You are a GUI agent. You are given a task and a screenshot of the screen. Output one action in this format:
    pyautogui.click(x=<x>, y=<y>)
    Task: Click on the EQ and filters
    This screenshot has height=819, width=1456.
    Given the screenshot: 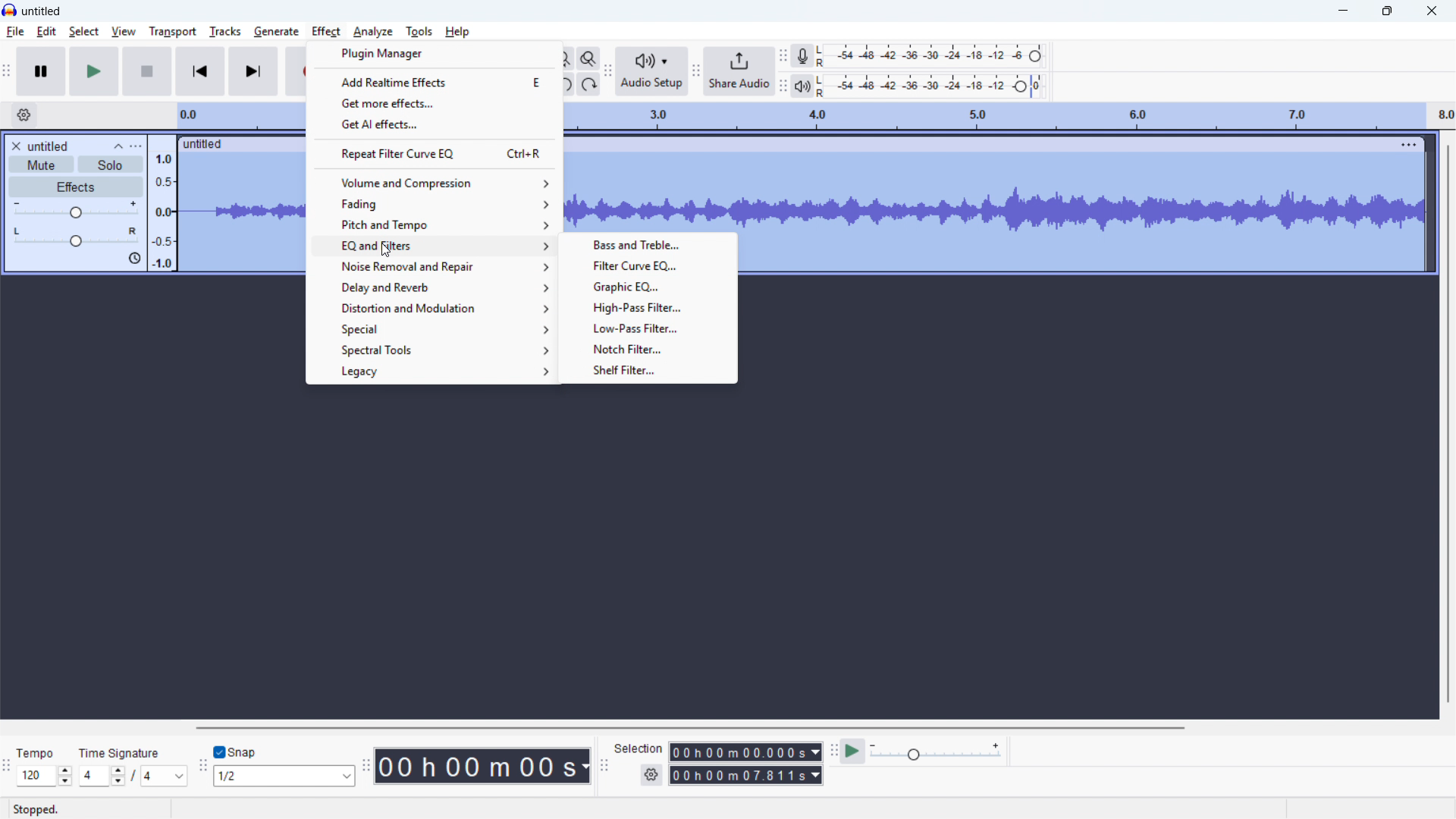 What is the action you would take?
    pyautogui.click(x=432, y=245)
    